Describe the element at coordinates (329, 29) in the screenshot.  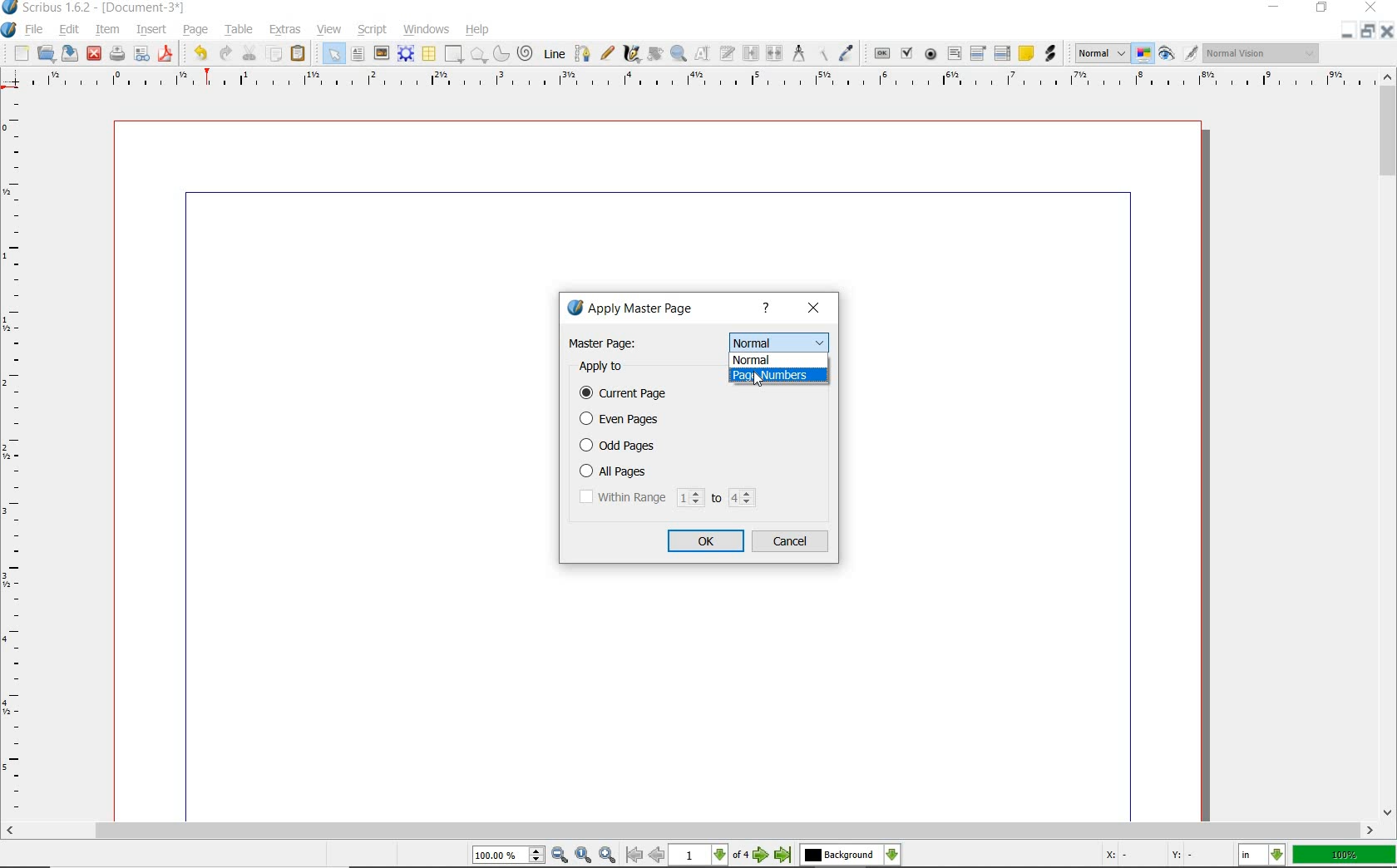
I see `view` at that location.